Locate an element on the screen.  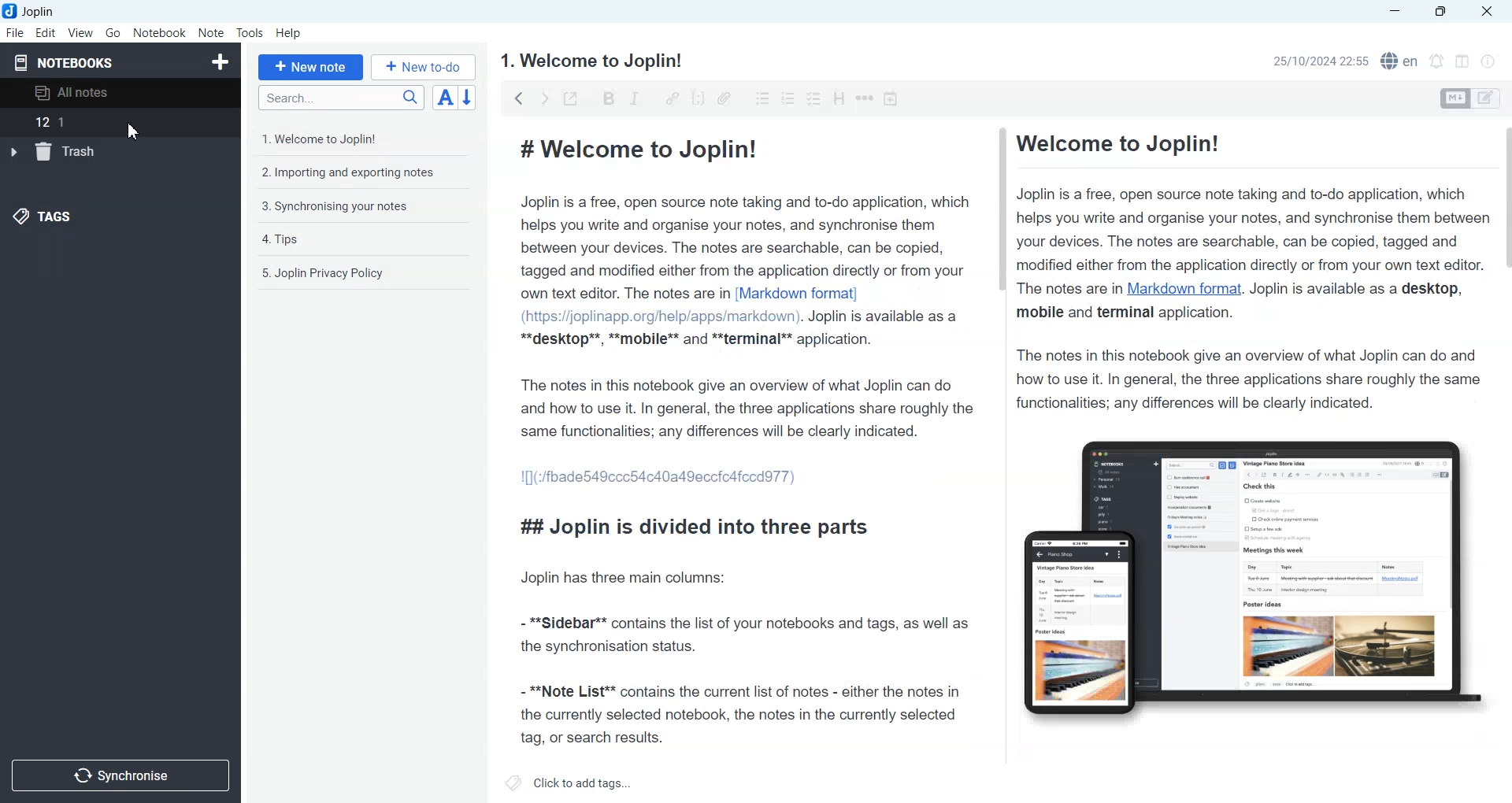
5. Joplin Privacy Policy is located at coordinates (324, 273).